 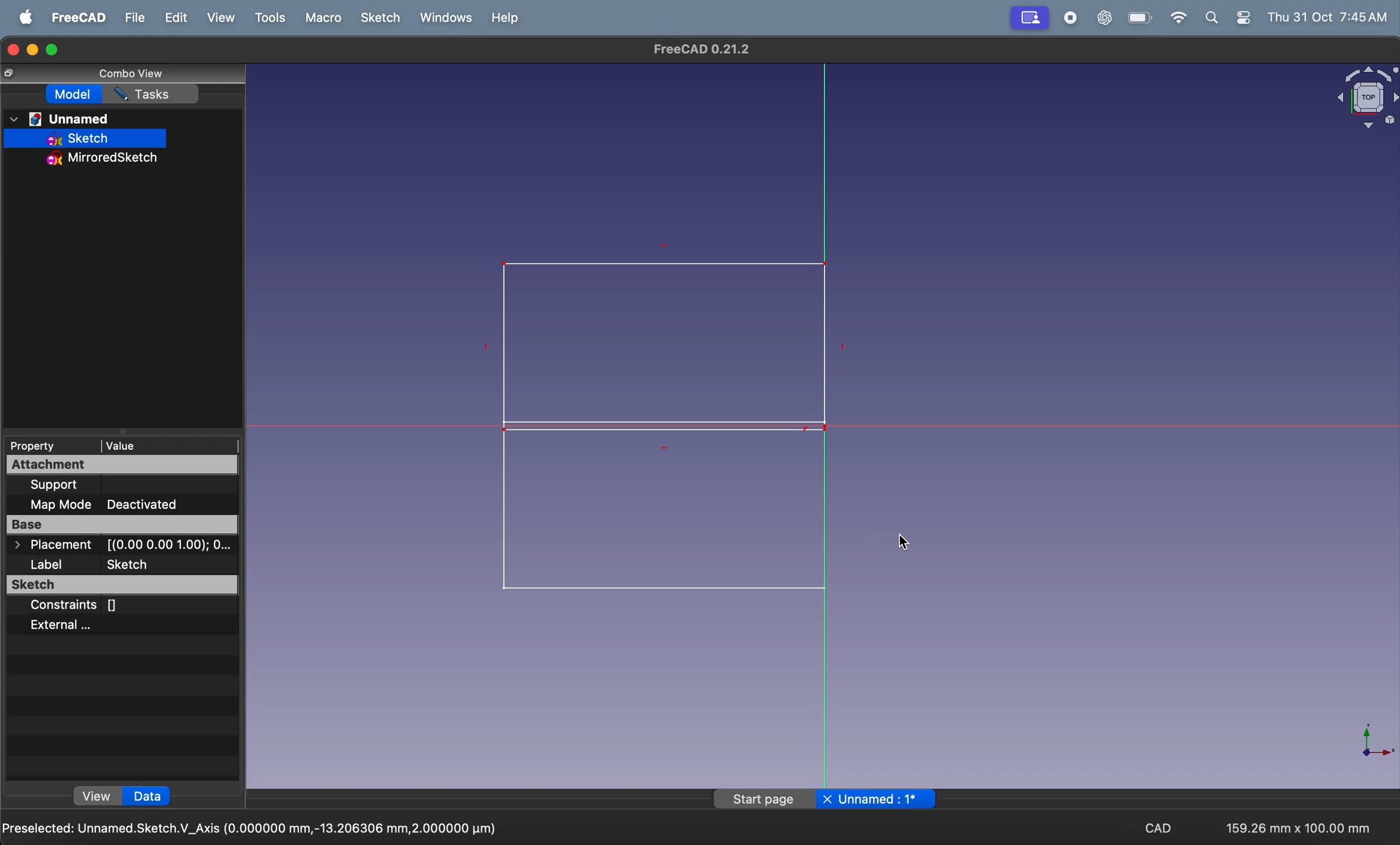 What do you see at coordinates (116, 546) in the screenshot?
I see `placement` at bounding box center [116, 546].